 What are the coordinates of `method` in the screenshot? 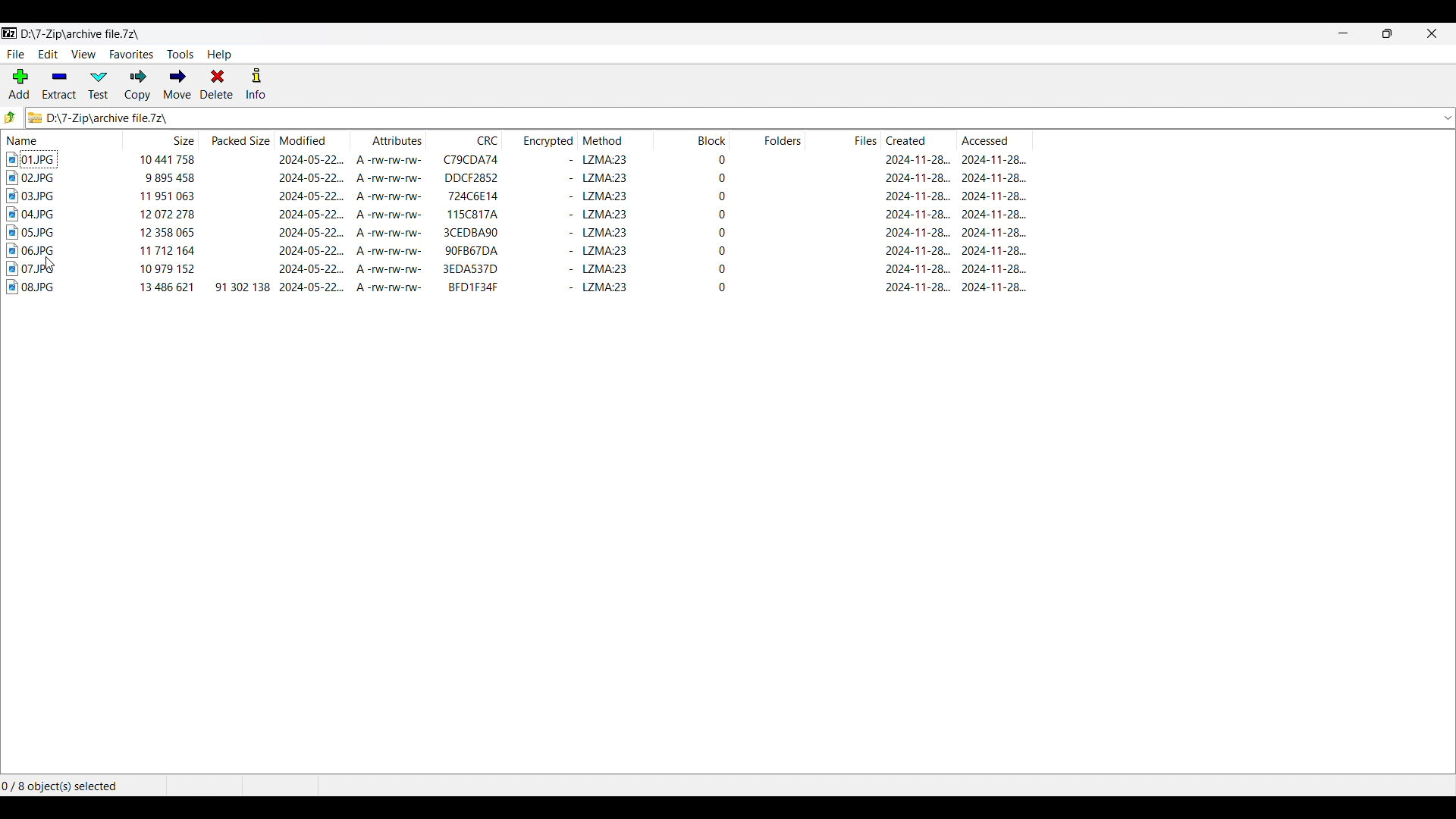 It's located at (605, 268).